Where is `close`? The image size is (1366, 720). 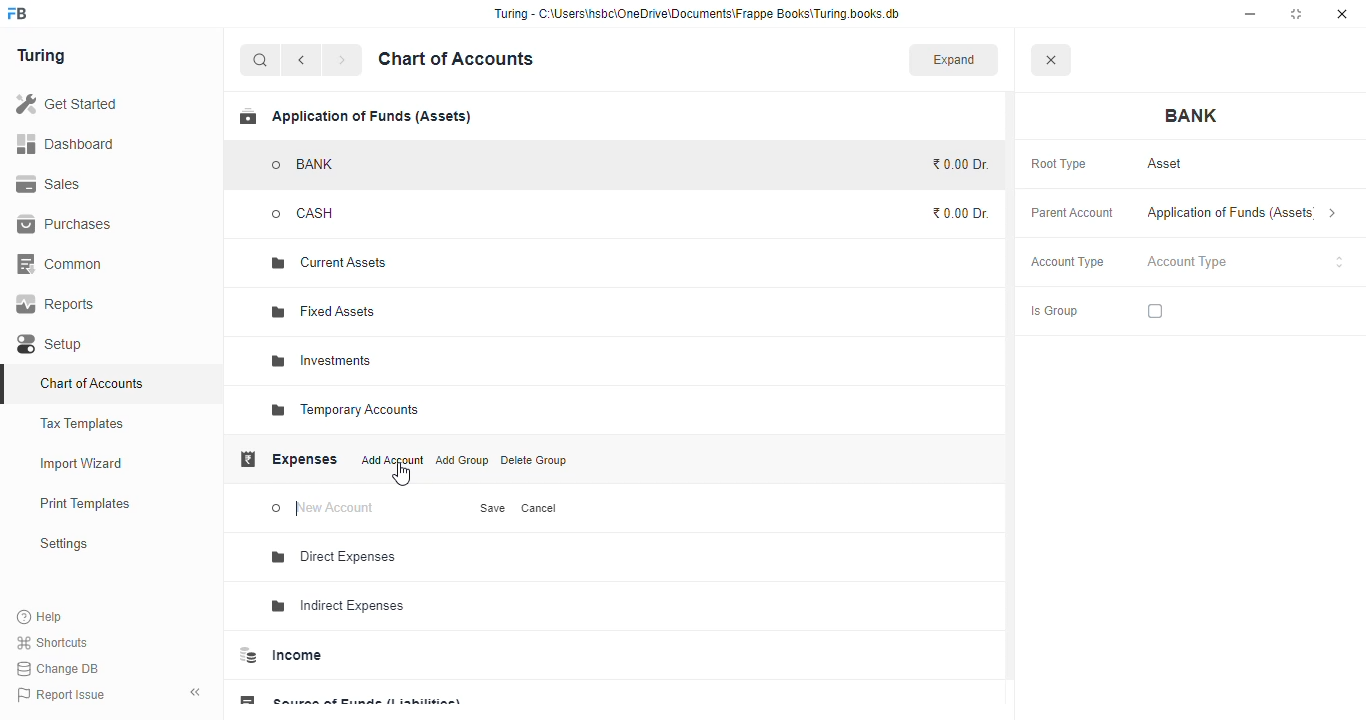 close is located at coordinates (1050, 59).